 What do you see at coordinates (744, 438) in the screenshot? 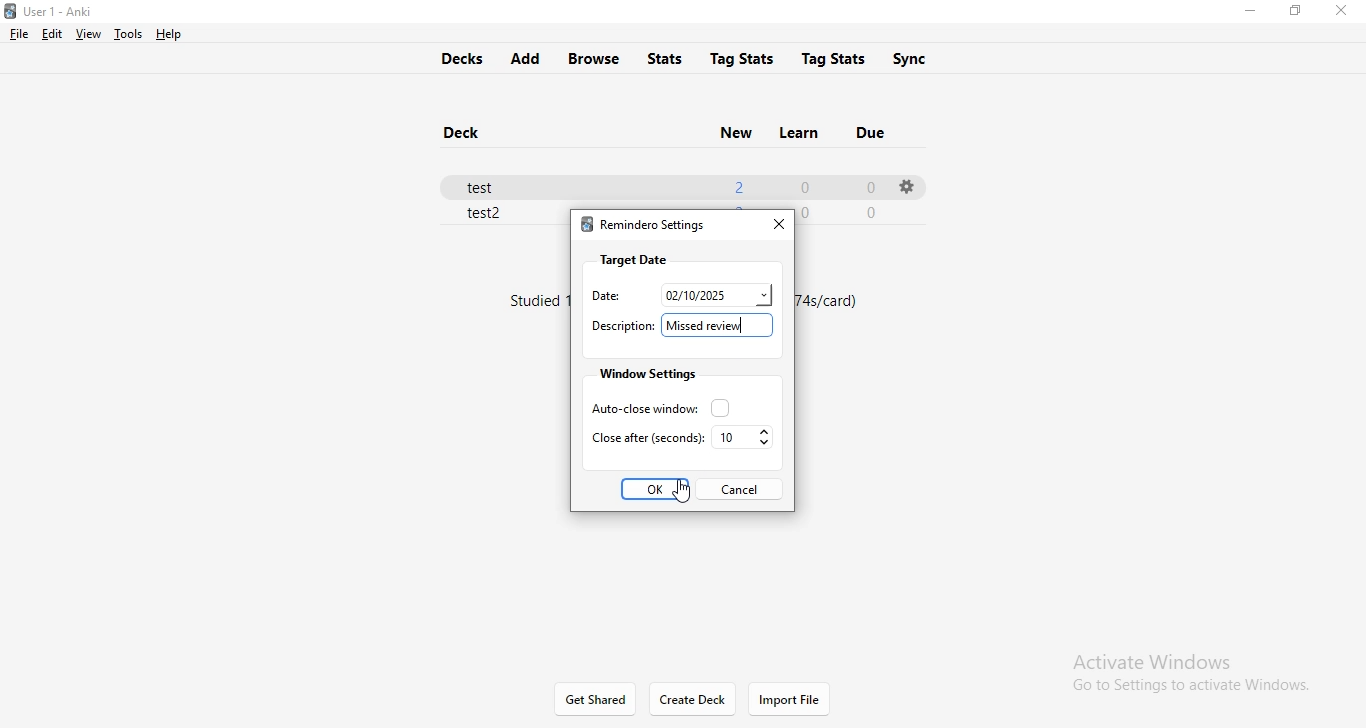
I see `10` at bounding box center [744, 438].